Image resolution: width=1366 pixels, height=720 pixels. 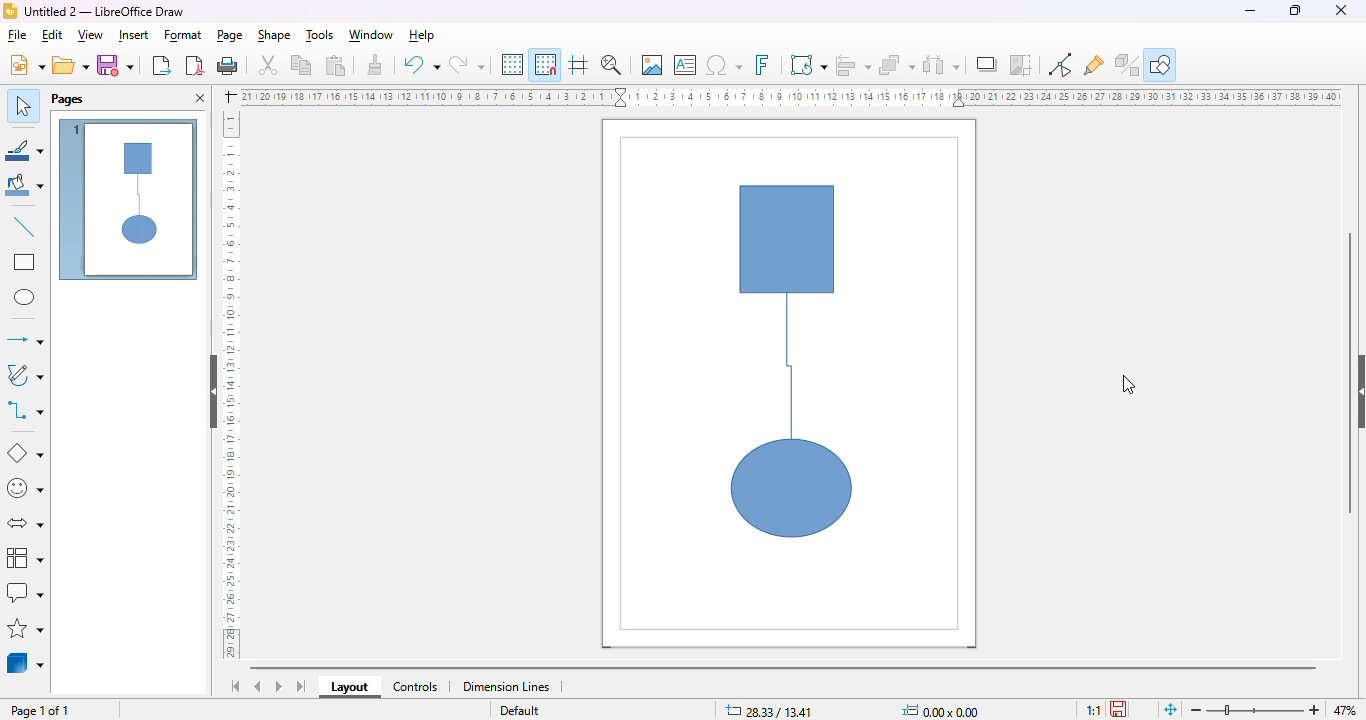 What do you see at coordinates (26, 409) in the screenshot?
I see `connectors` at bounding box center [26, 409].